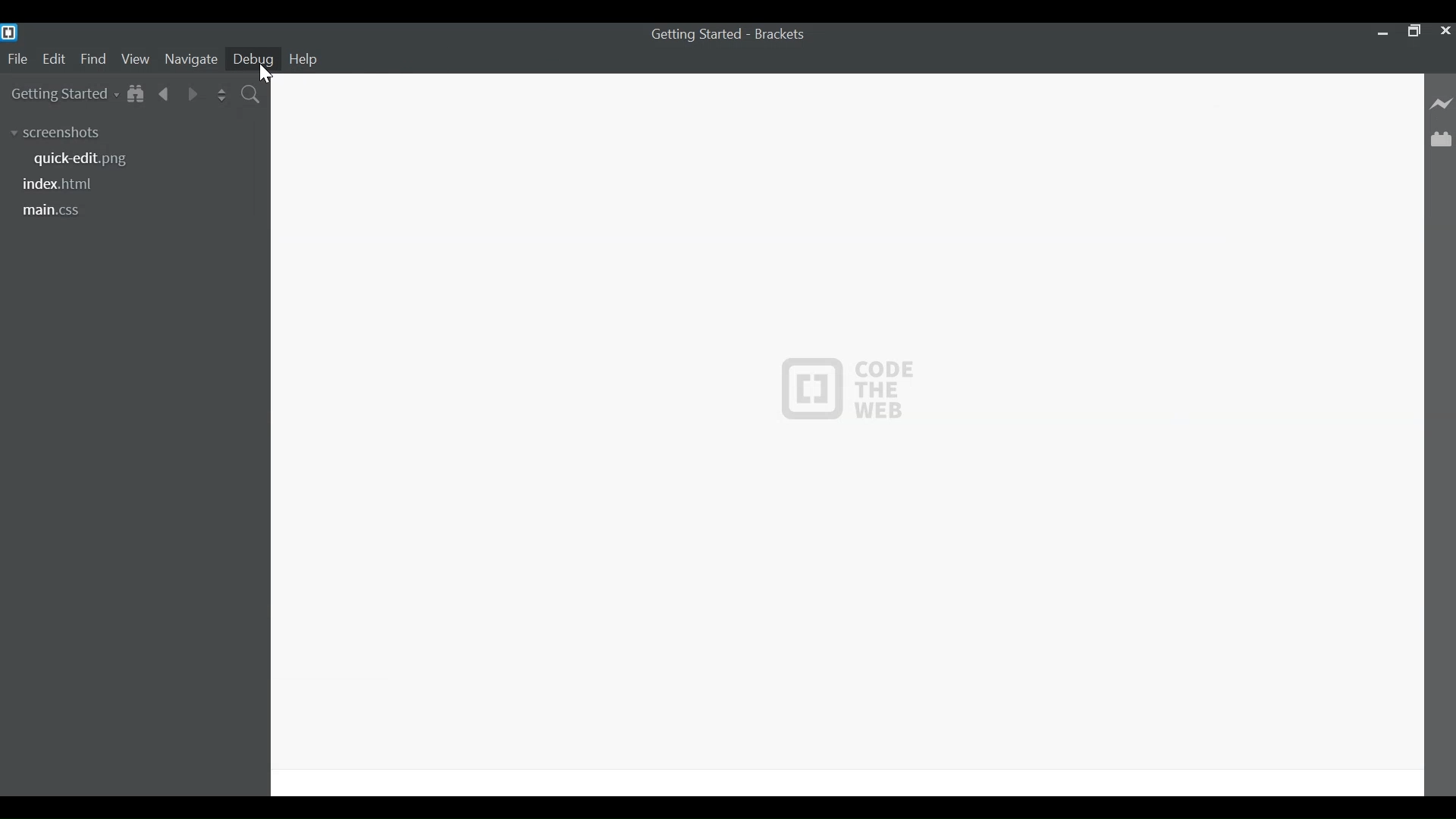  What do you see at coordinates (847, 428) in the screenshot?
I see `CODE THE WEB` at bounding box center [847, 428].